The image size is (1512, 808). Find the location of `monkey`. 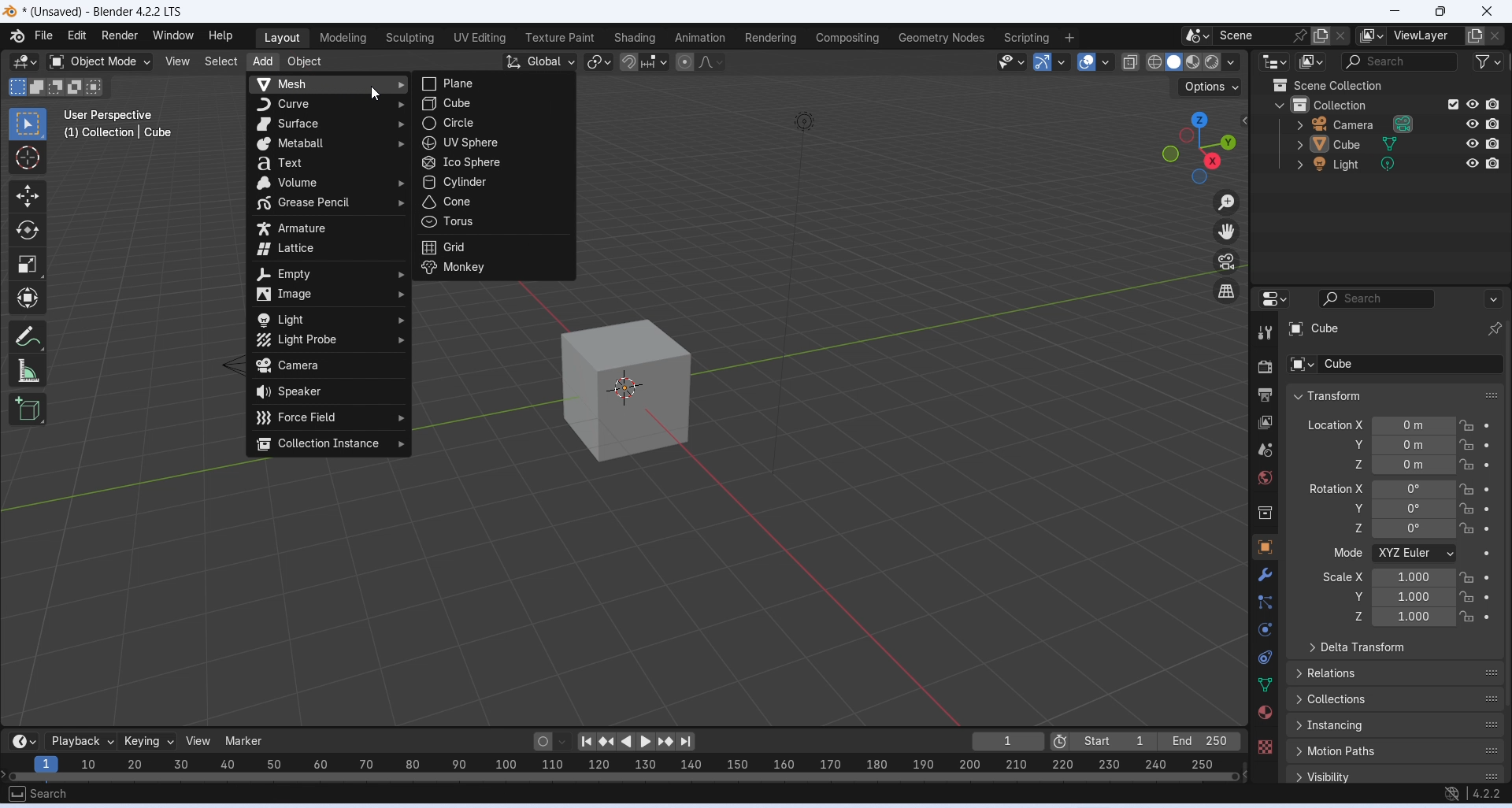

monkey is located at coordinates (492, 267).